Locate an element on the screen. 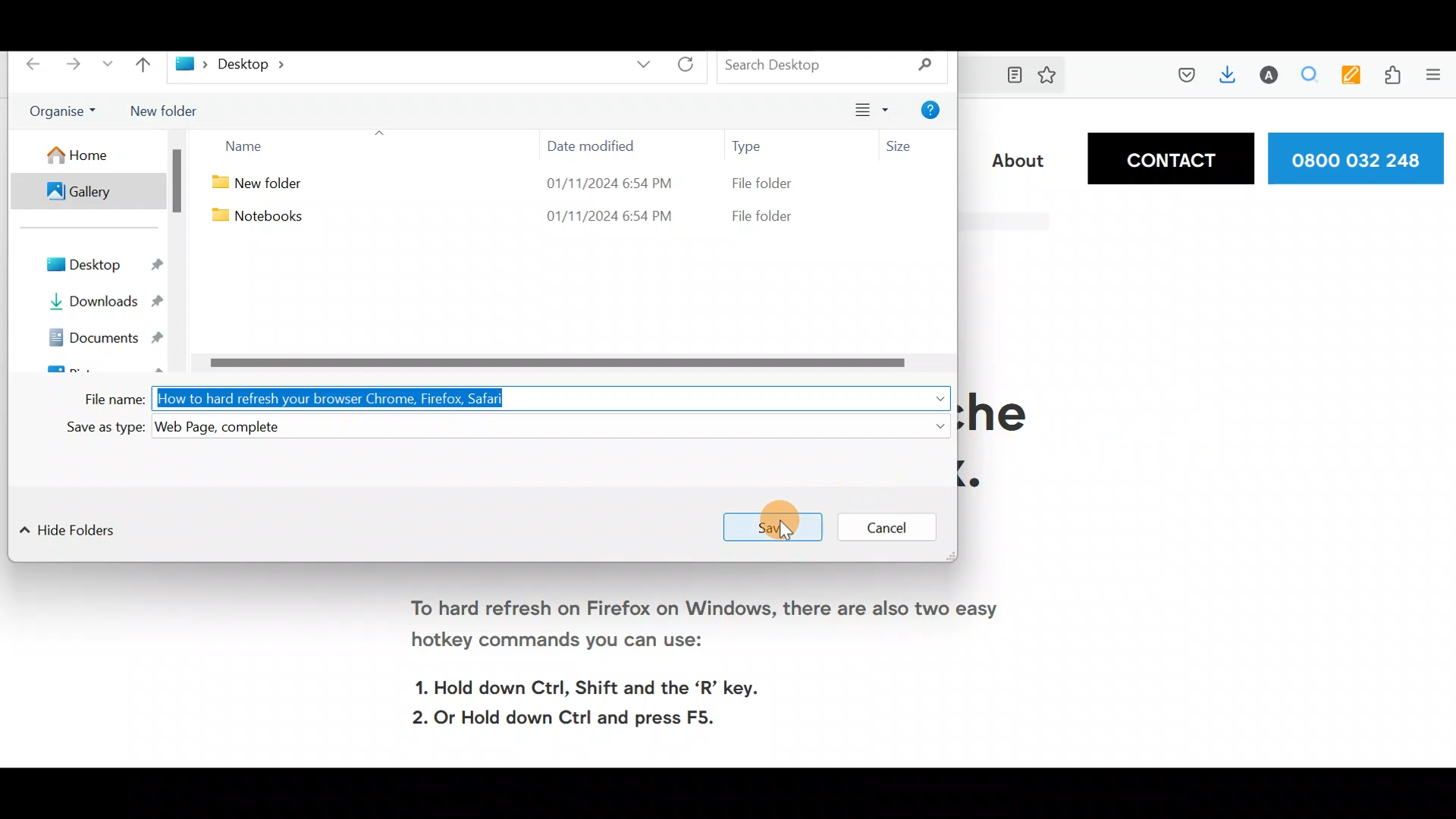 This screenshot has width=1456, height=819. Cursor is located at coordinates (782, 528).